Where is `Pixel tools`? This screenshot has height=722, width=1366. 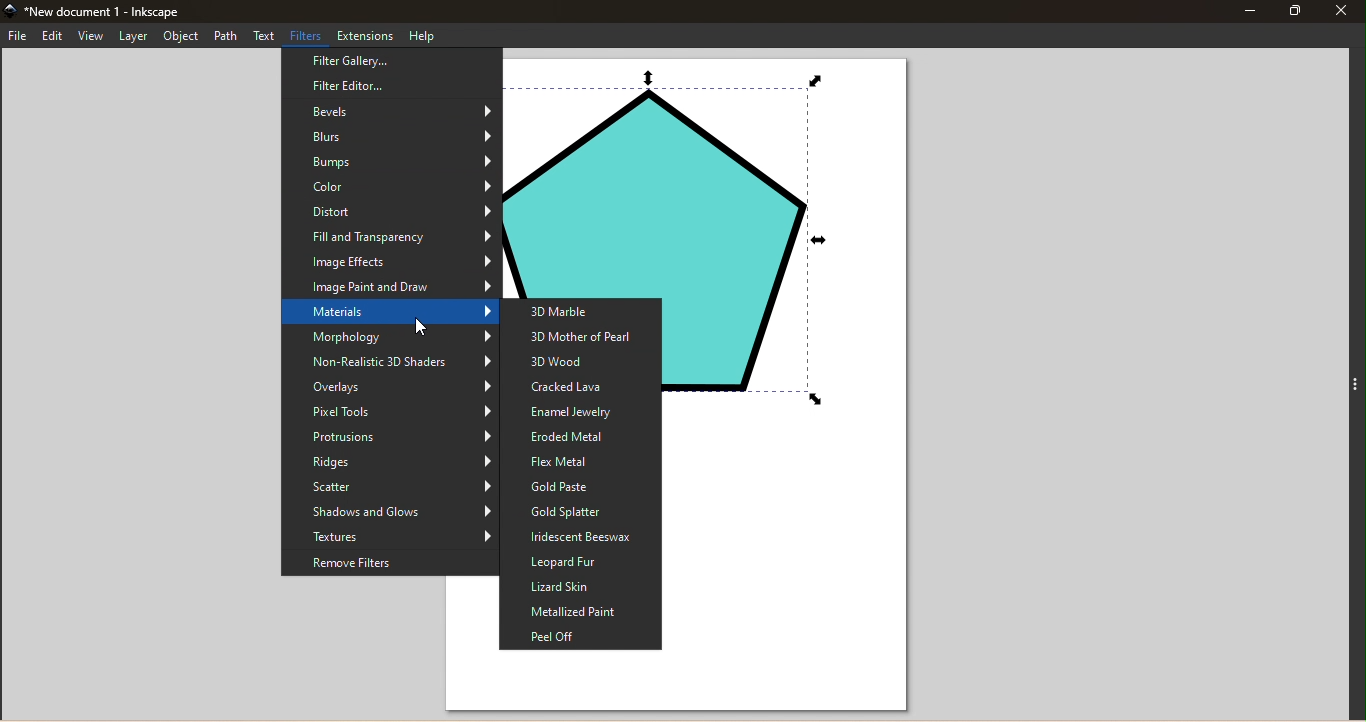 Pixel tools is located at coordinates (388, 413).